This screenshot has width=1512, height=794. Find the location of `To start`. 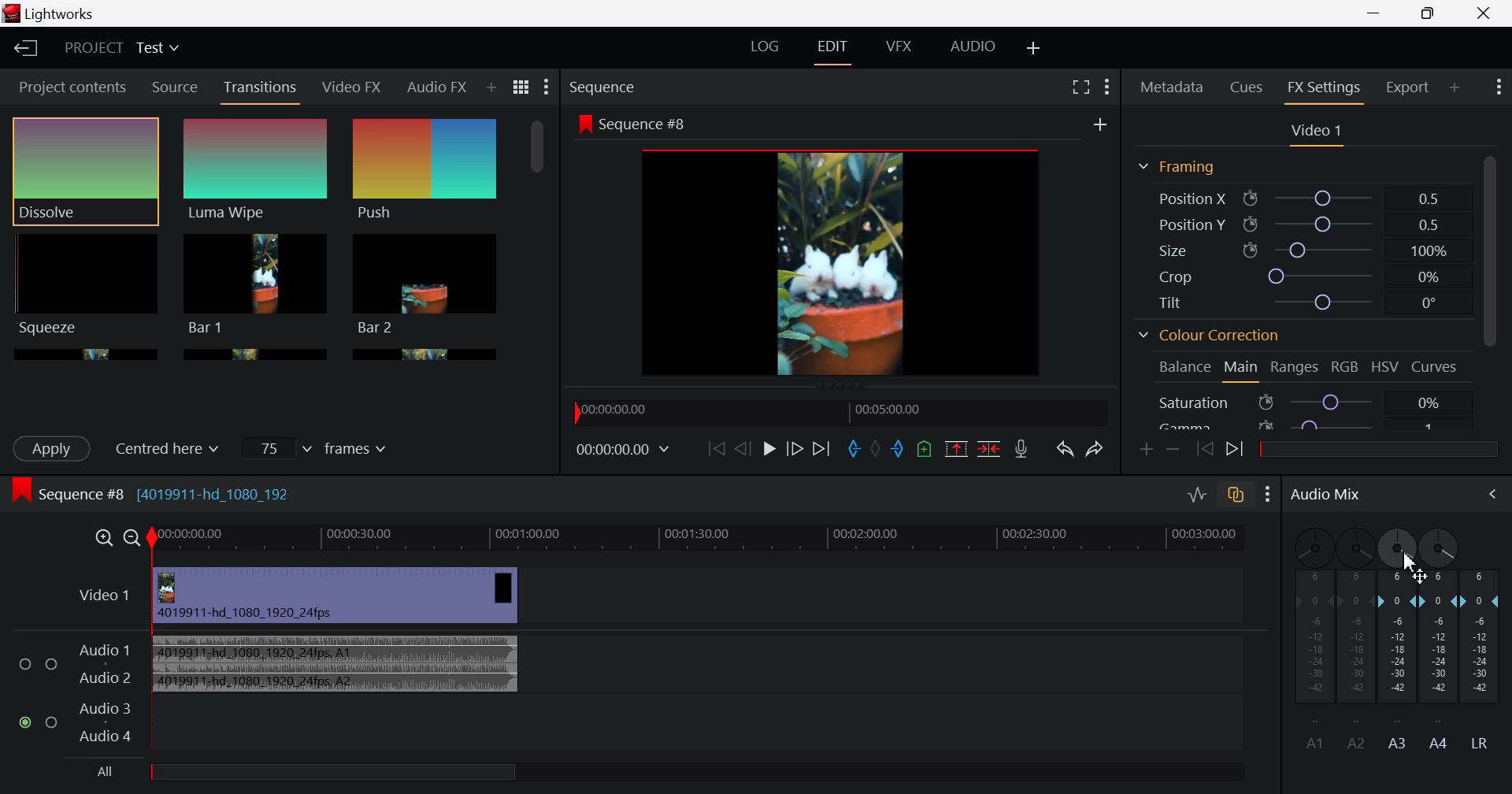

To start is located at coordinates (715, 449).